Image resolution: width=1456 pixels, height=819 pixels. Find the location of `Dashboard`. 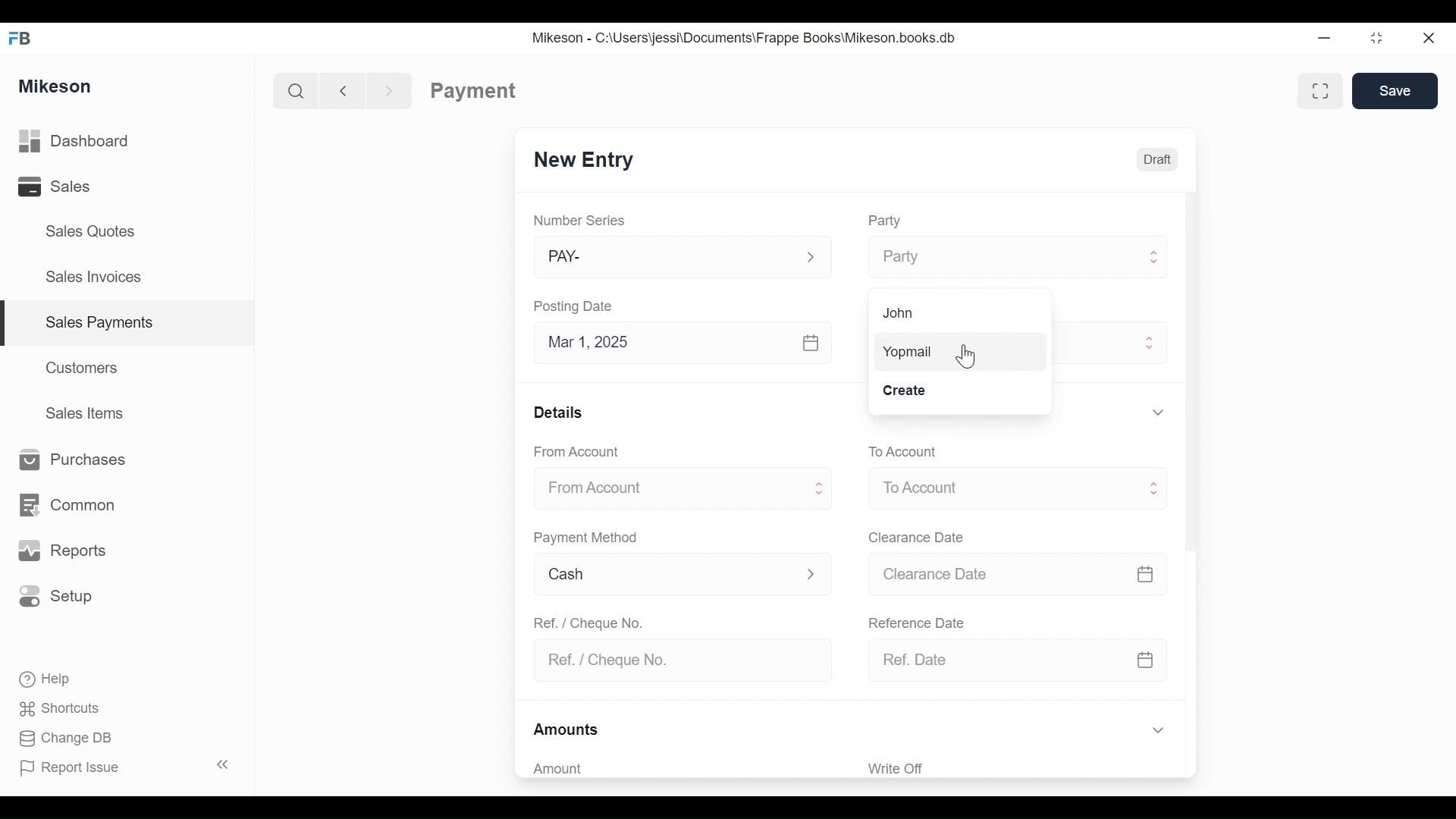

Dashboard is located at coordinates (99, 142).